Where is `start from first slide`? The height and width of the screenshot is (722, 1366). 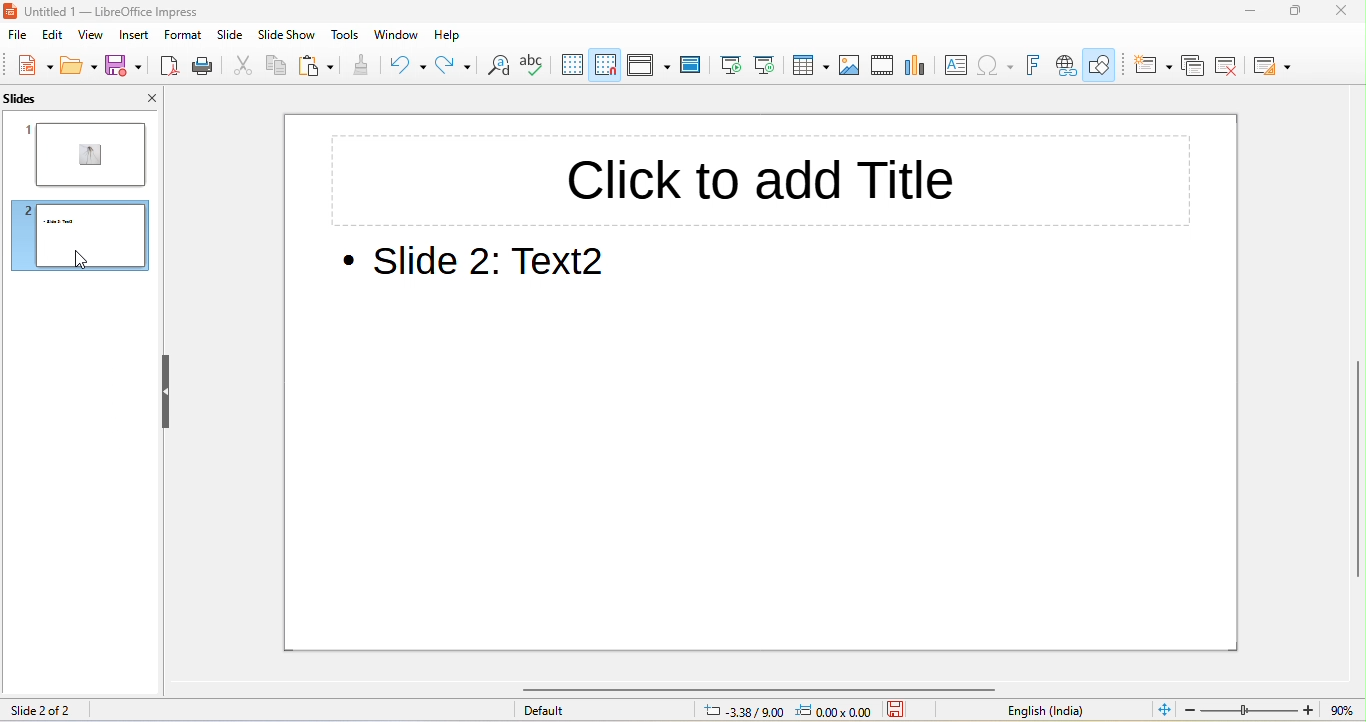
start from first slide is located at coordinates (732, 65).